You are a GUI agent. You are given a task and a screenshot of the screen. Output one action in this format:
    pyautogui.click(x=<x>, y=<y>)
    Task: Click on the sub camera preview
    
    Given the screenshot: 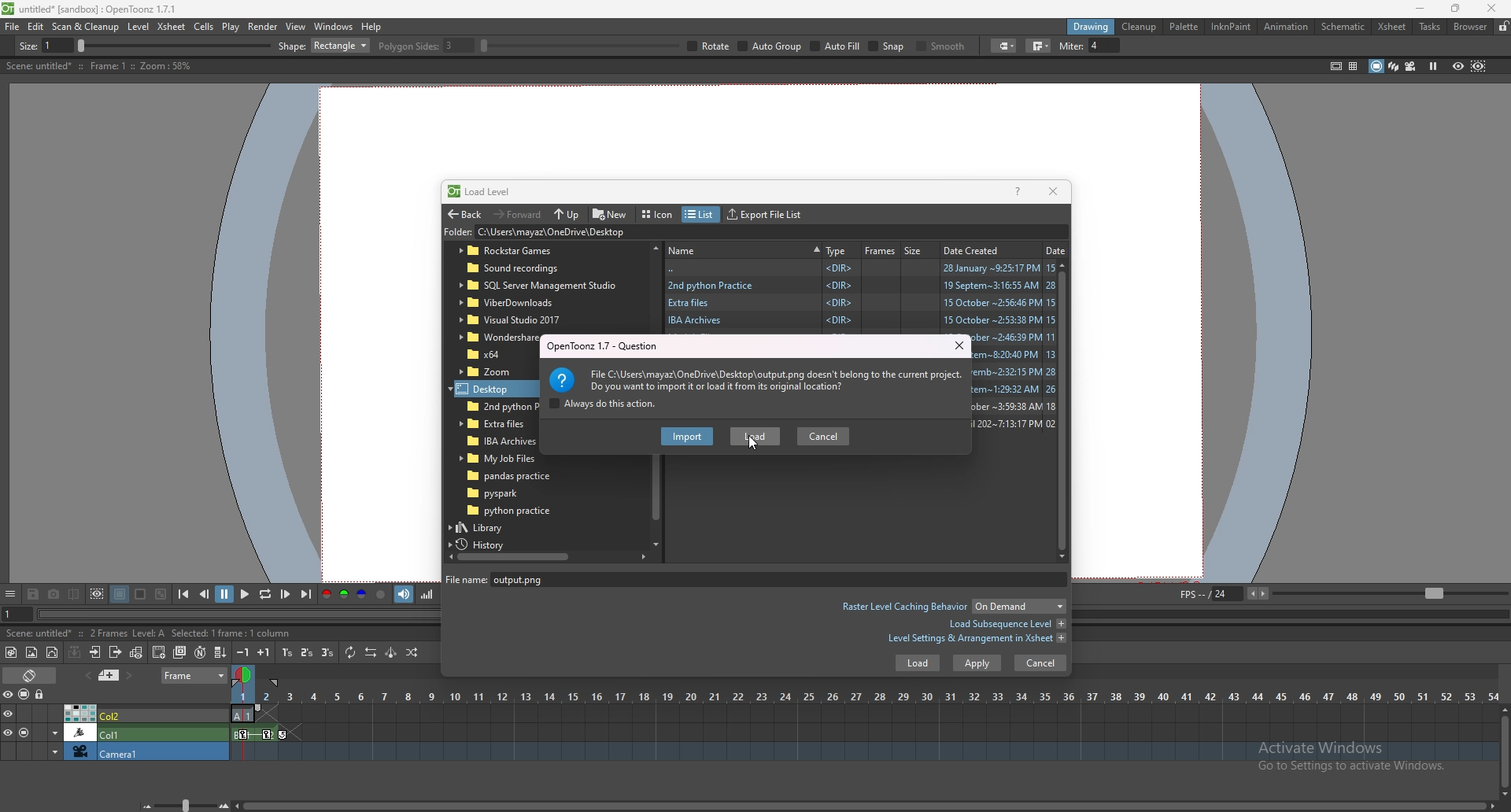 What is the action you would take?
    pyautogui.click(x=1479, y=65)
    